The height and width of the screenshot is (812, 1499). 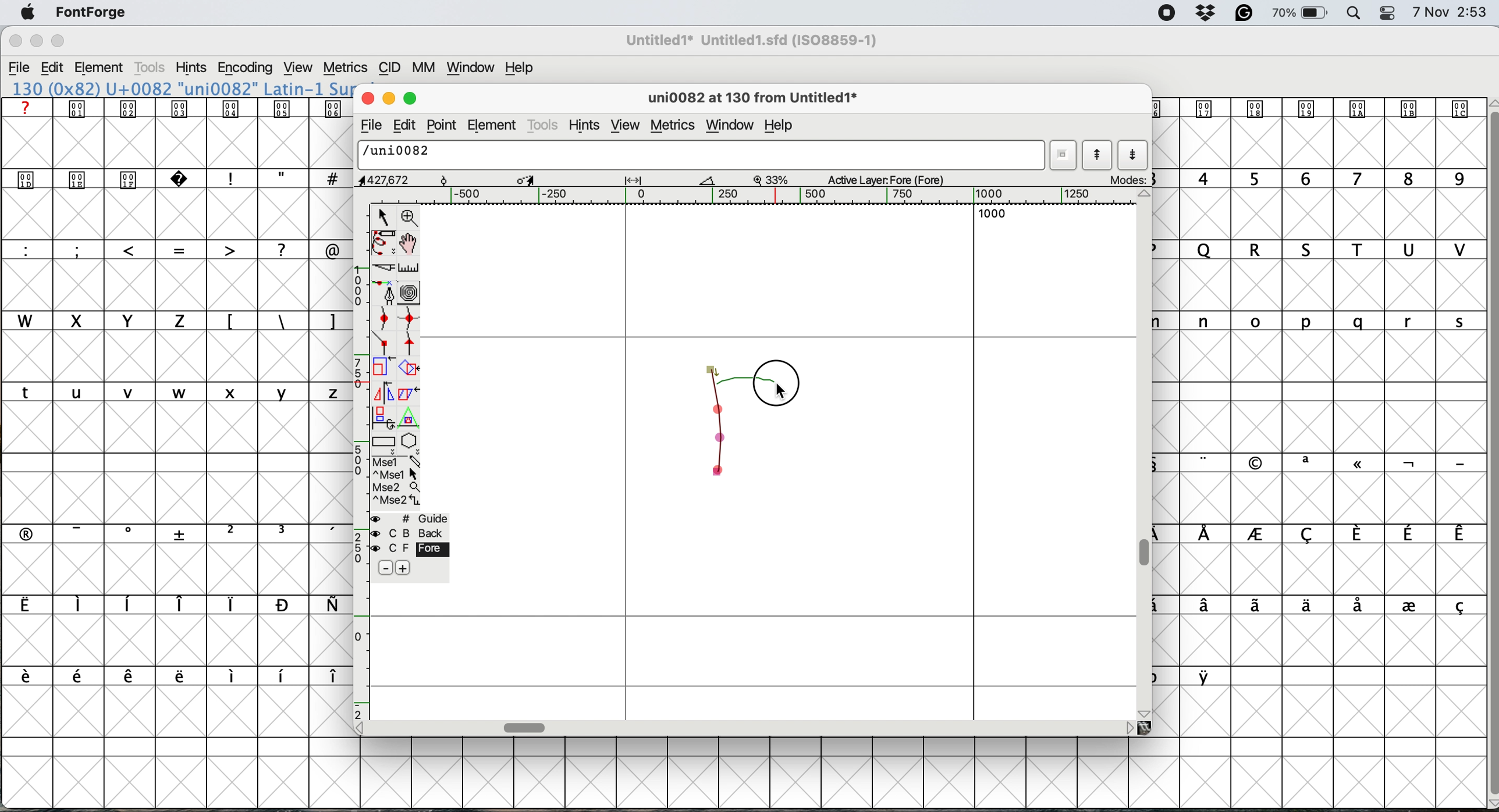 What do you see at coordinates (406, 393) in the screenshot?
I see `skew selection` at bounding box center [406, 393].